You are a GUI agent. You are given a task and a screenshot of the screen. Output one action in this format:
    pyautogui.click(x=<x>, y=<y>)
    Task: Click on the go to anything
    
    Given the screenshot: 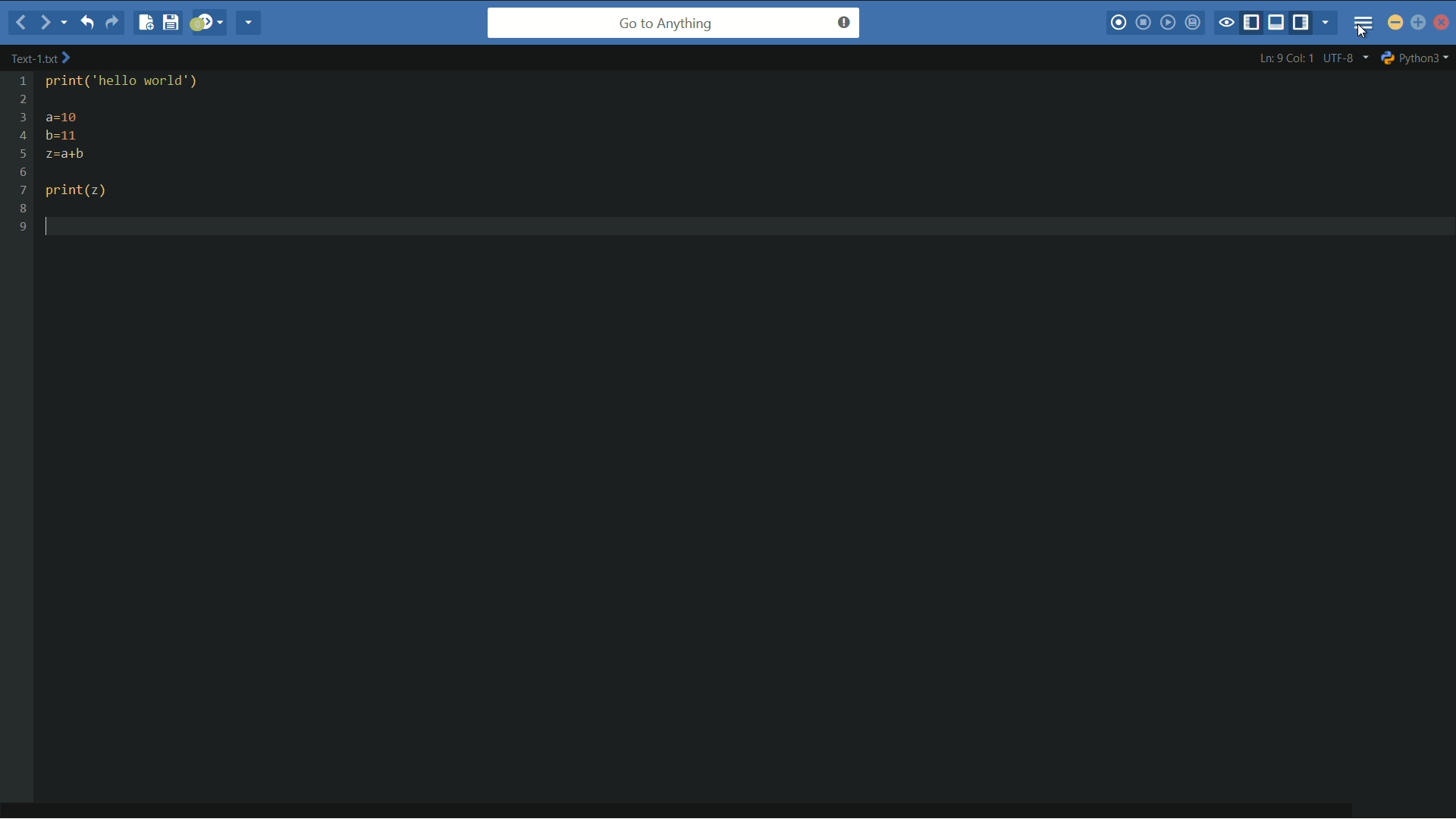 What is the action you would take?
    pyautogui.click(x=673, y=24)
    